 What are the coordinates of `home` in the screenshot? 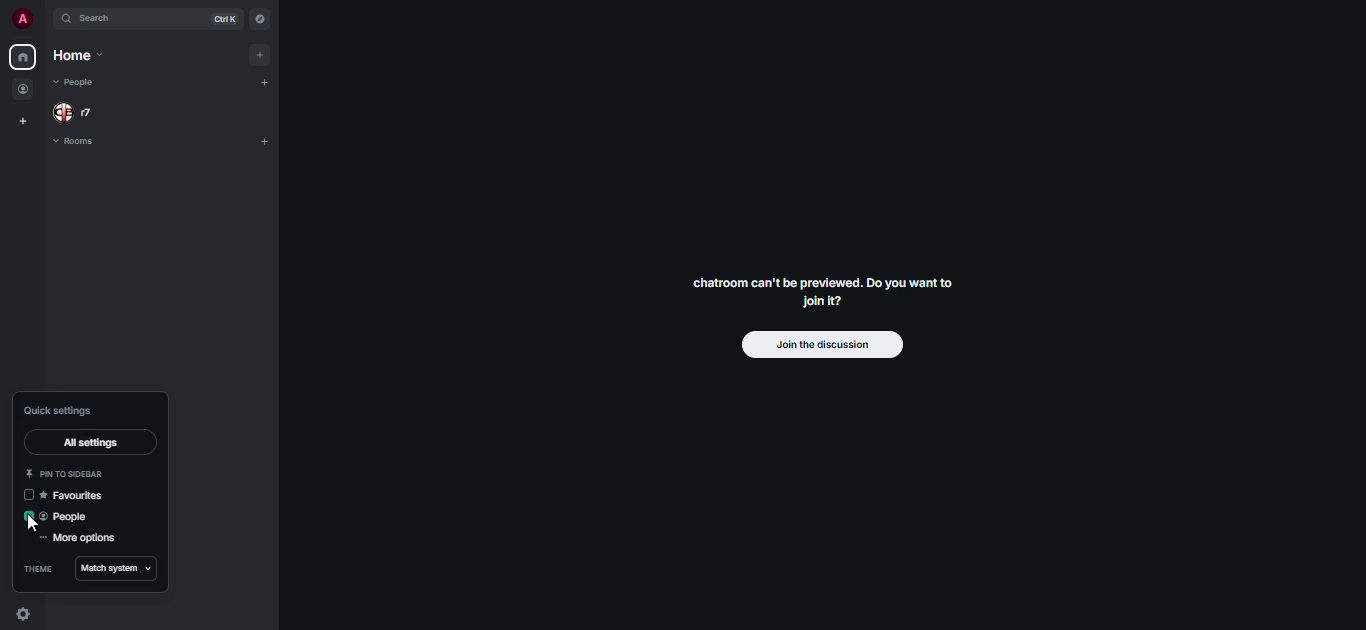 It's located at (21, 57).